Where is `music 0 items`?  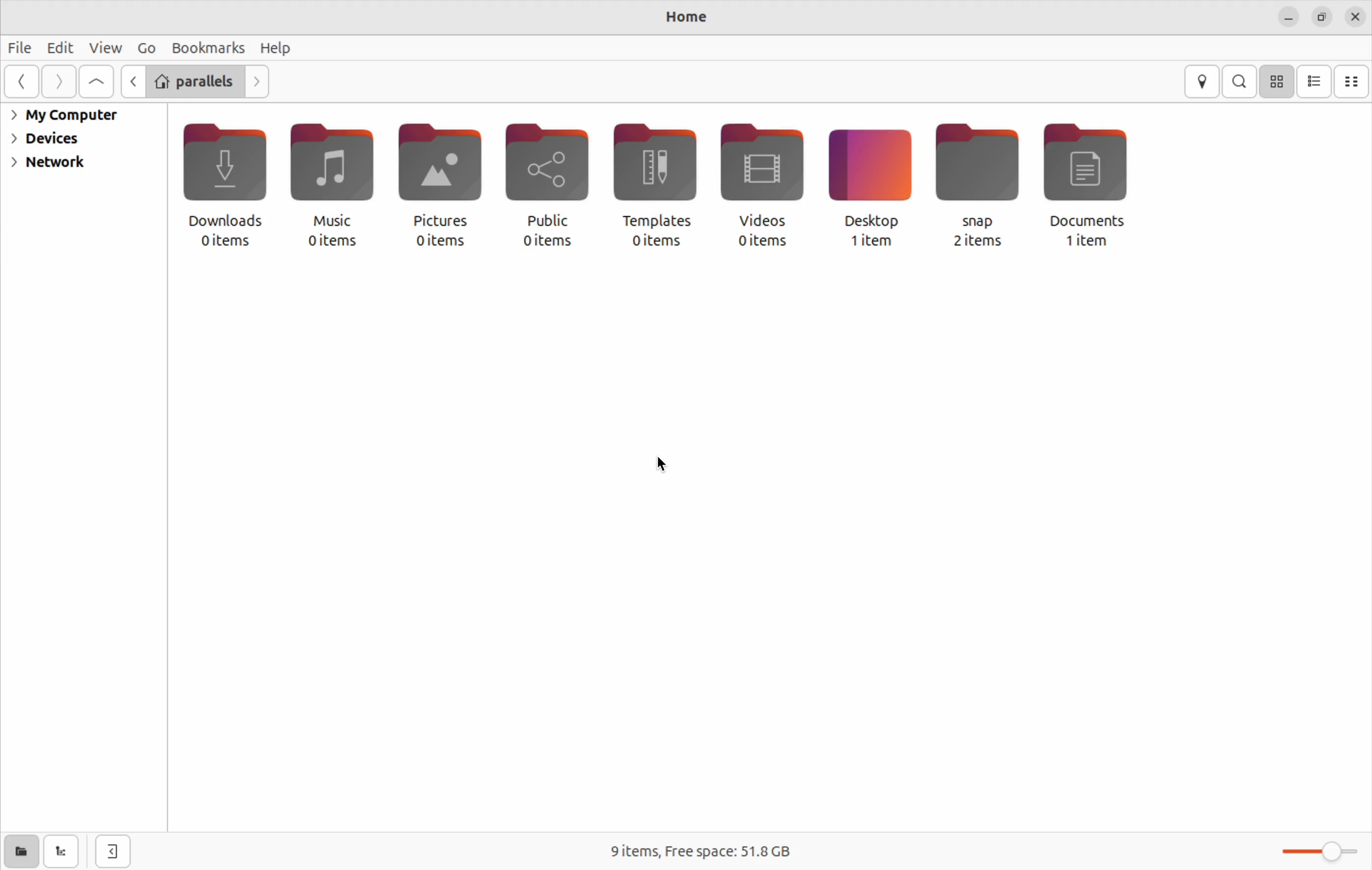
music 0 items is located at coordinates (327, 187).